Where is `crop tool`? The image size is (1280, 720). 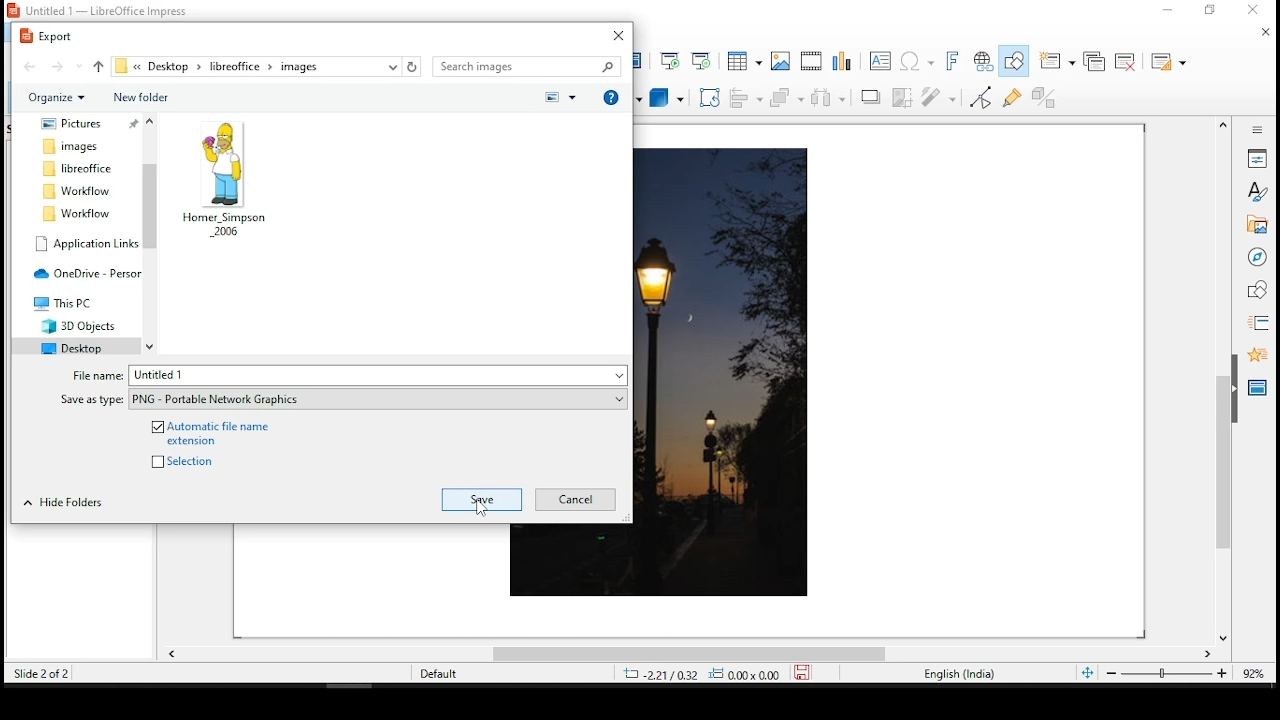
crop tool is located at coordinates (709, 97).